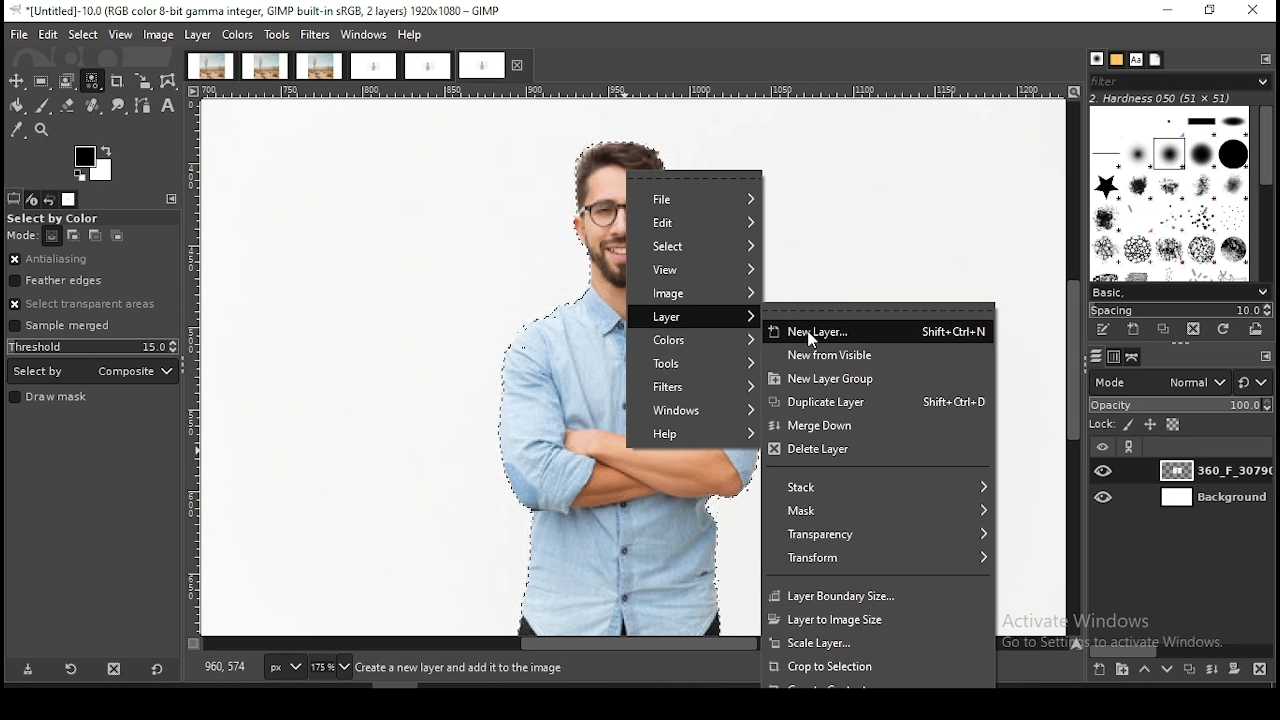 This screenshot has height=720, width=1280. I want to click on brush presets, so click(1179, 293).